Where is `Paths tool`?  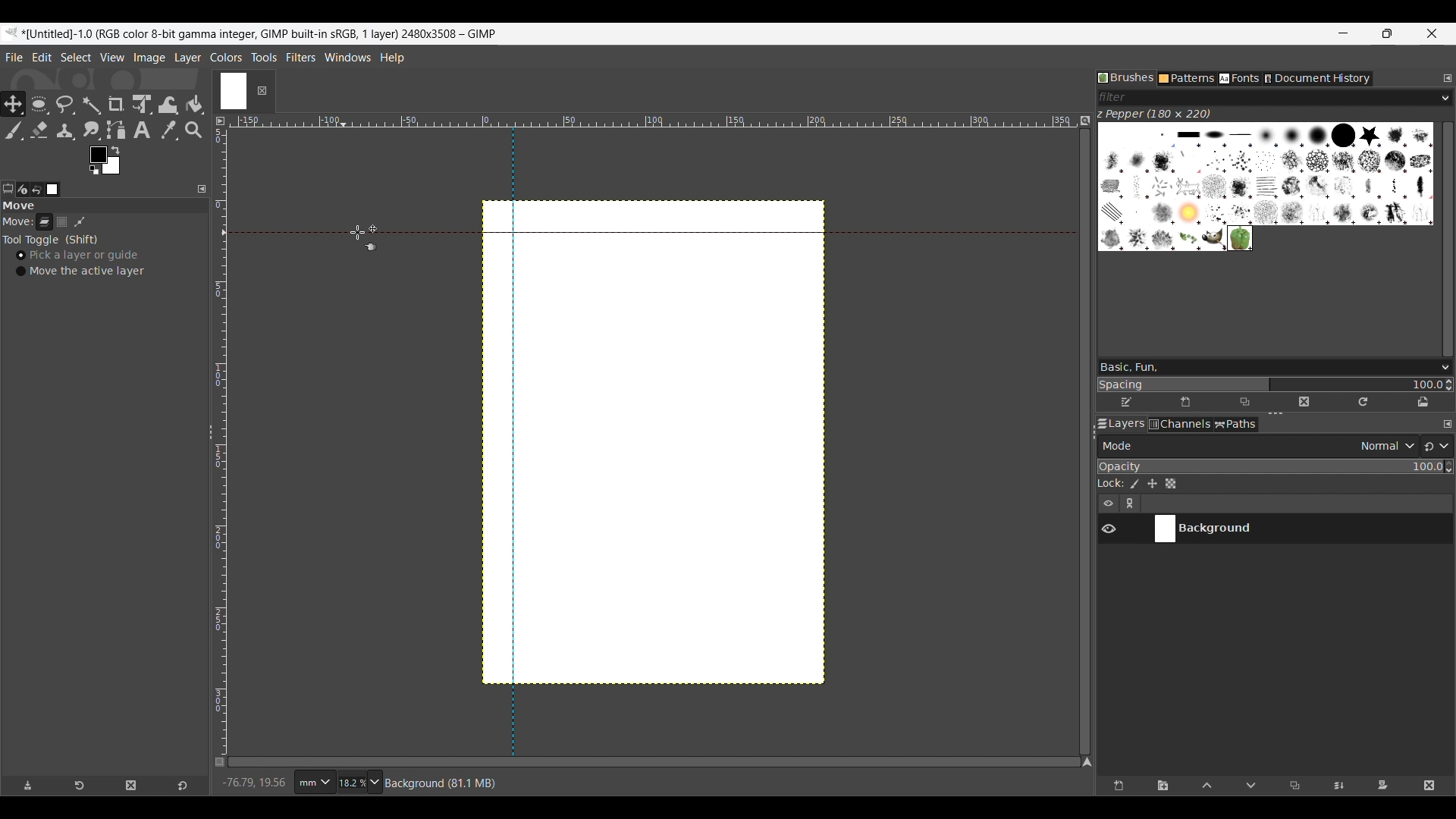
Paths tool is located at coordinates (117, 130).